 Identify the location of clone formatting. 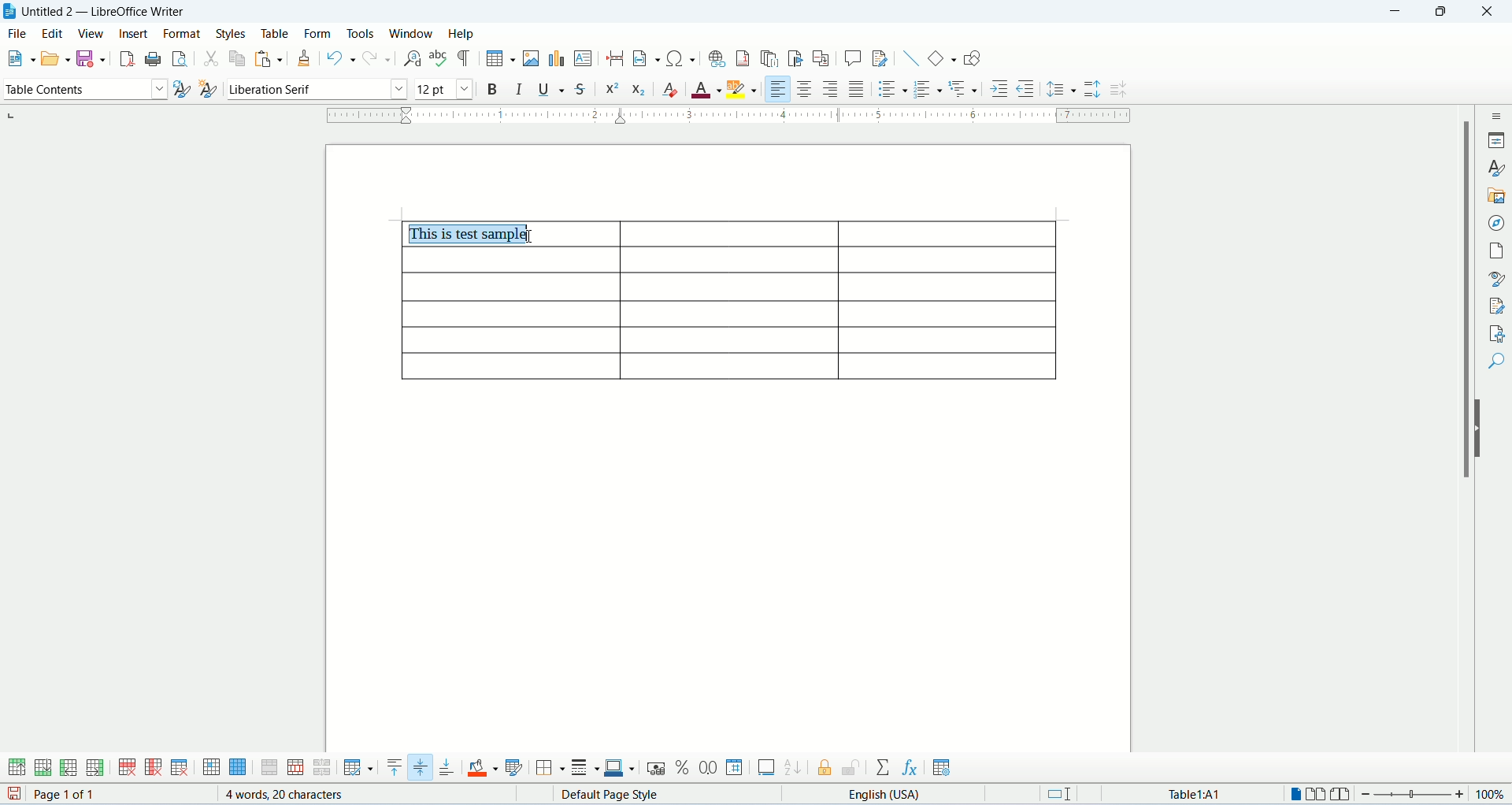
(306, 57).